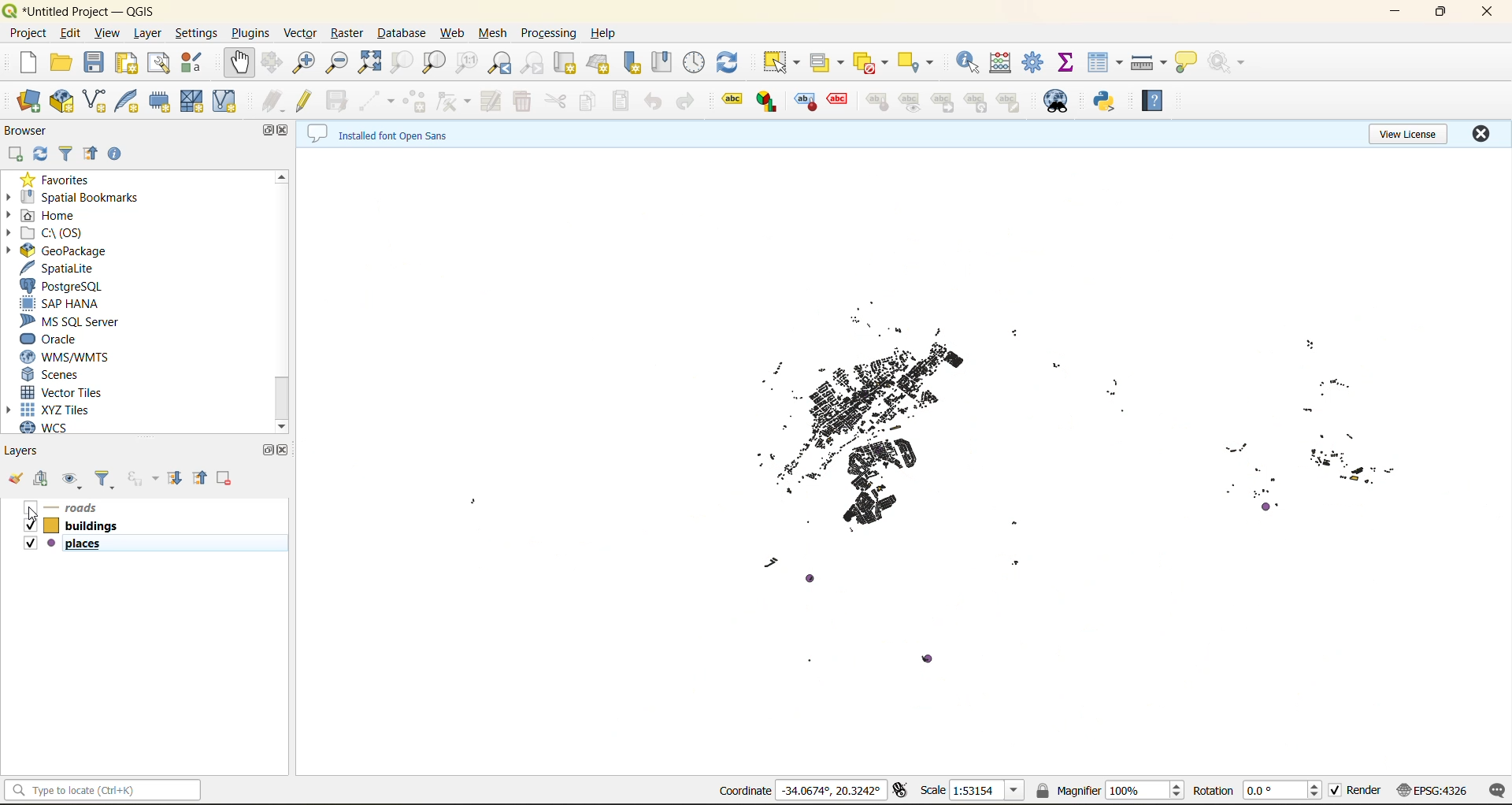  What do you see at coordinates (1108, 60) in the screenshot?
I see `attributes table` at bounding box center [1108, 60].